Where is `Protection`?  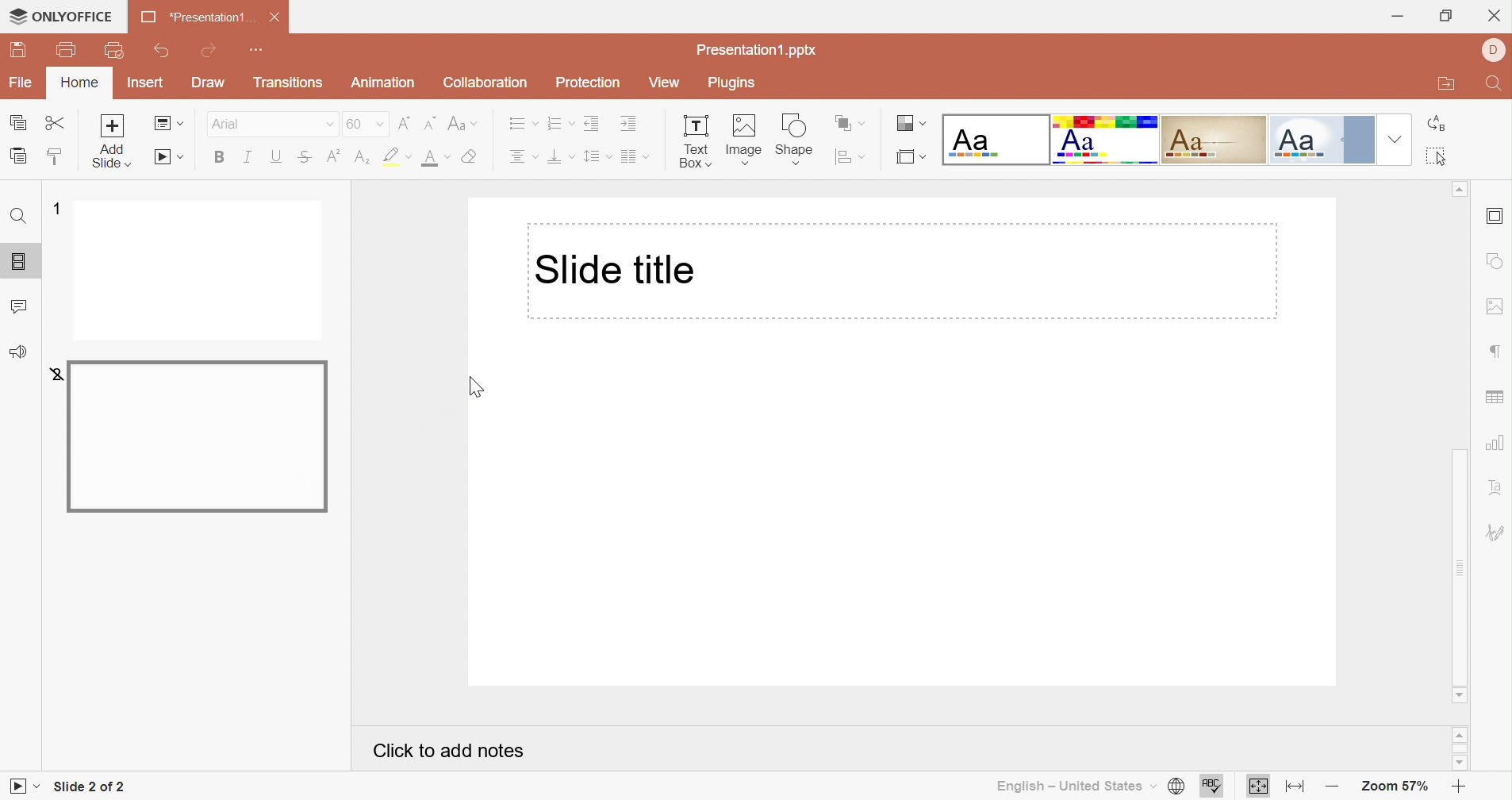
Protection is located at coordinates (589, 84).